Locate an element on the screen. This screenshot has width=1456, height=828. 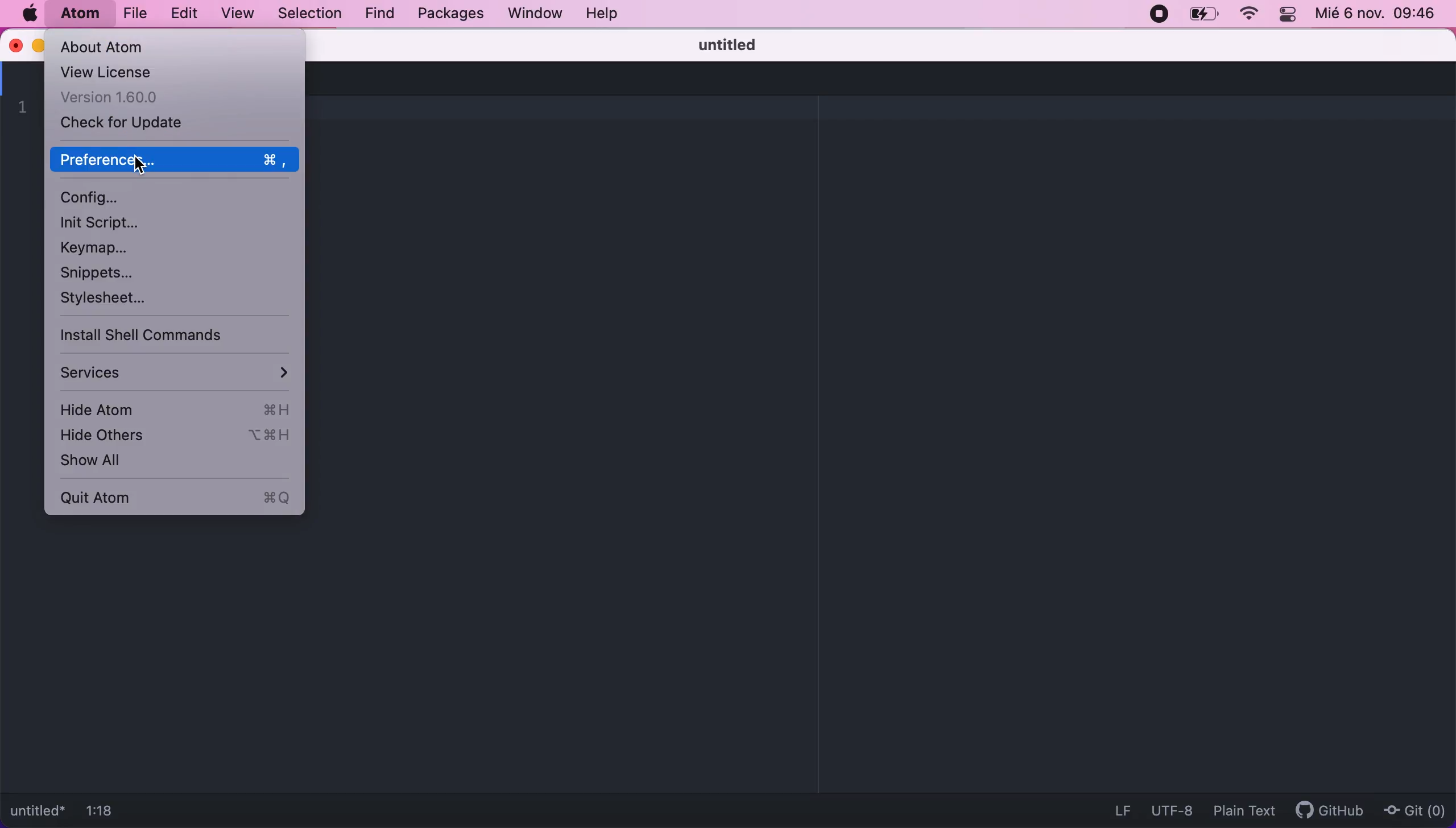
UTF-8 is located at coordinates (1172, 812).